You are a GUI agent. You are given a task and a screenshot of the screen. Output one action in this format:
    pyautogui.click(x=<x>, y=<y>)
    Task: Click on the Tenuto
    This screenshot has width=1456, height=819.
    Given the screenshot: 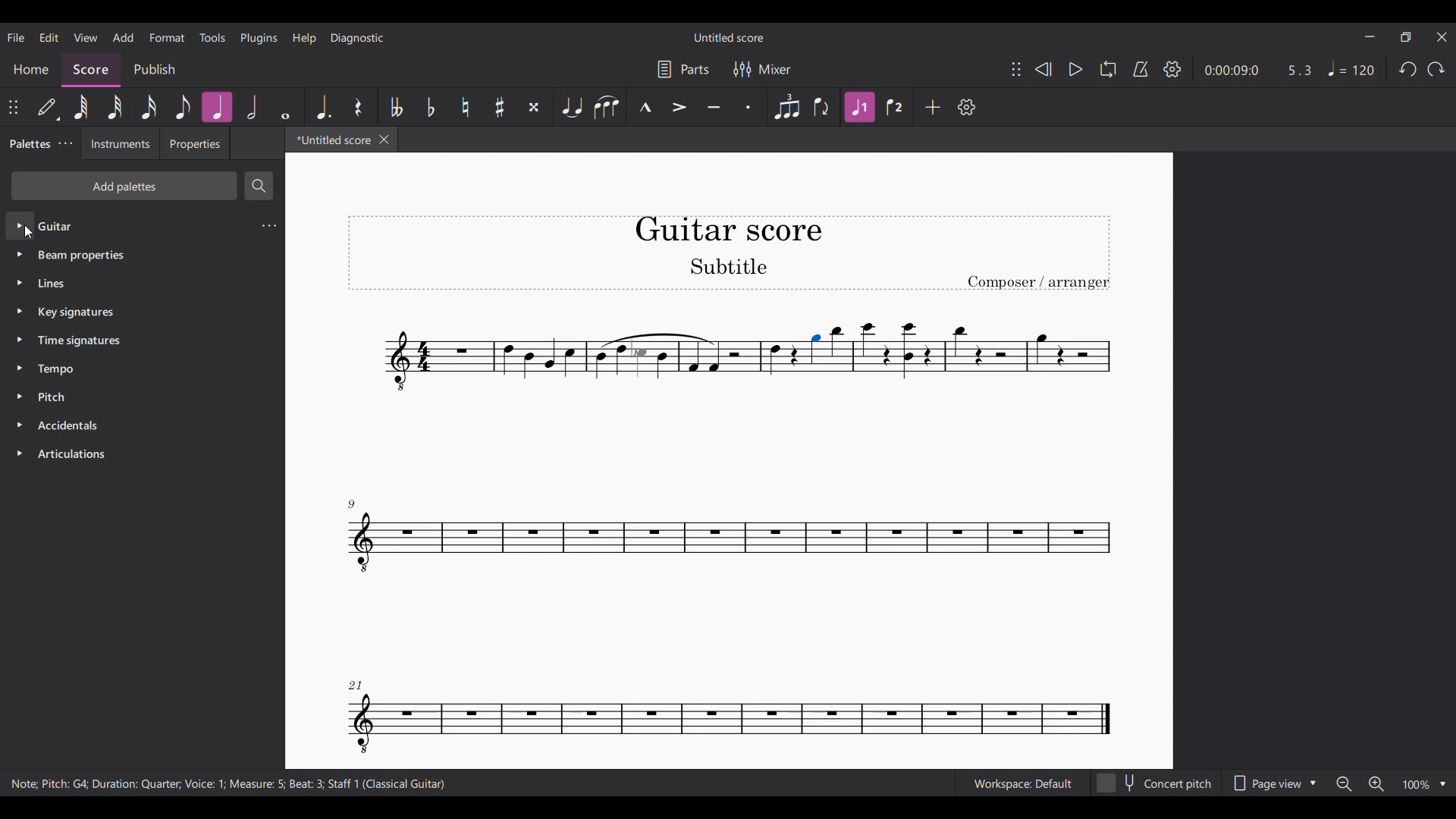 What is the action you would take?
    pyautogui.click(x=714, y=107)
    